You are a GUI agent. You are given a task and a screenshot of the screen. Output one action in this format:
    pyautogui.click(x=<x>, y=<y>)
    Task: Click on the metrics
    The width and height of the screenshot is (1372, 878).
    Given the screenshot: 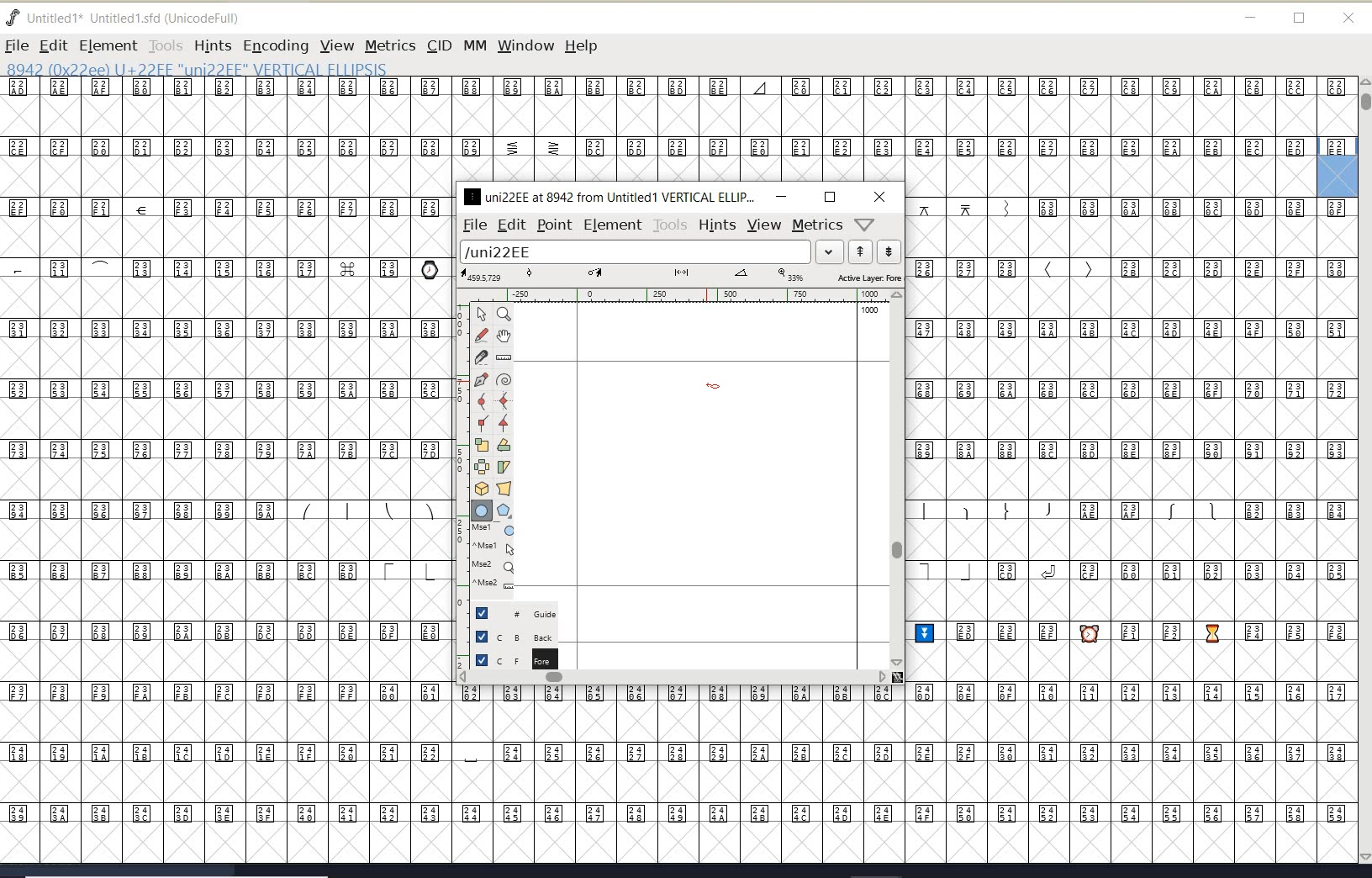 What is the action you would take?
    pyautogui.click(x=817, y=225)
    